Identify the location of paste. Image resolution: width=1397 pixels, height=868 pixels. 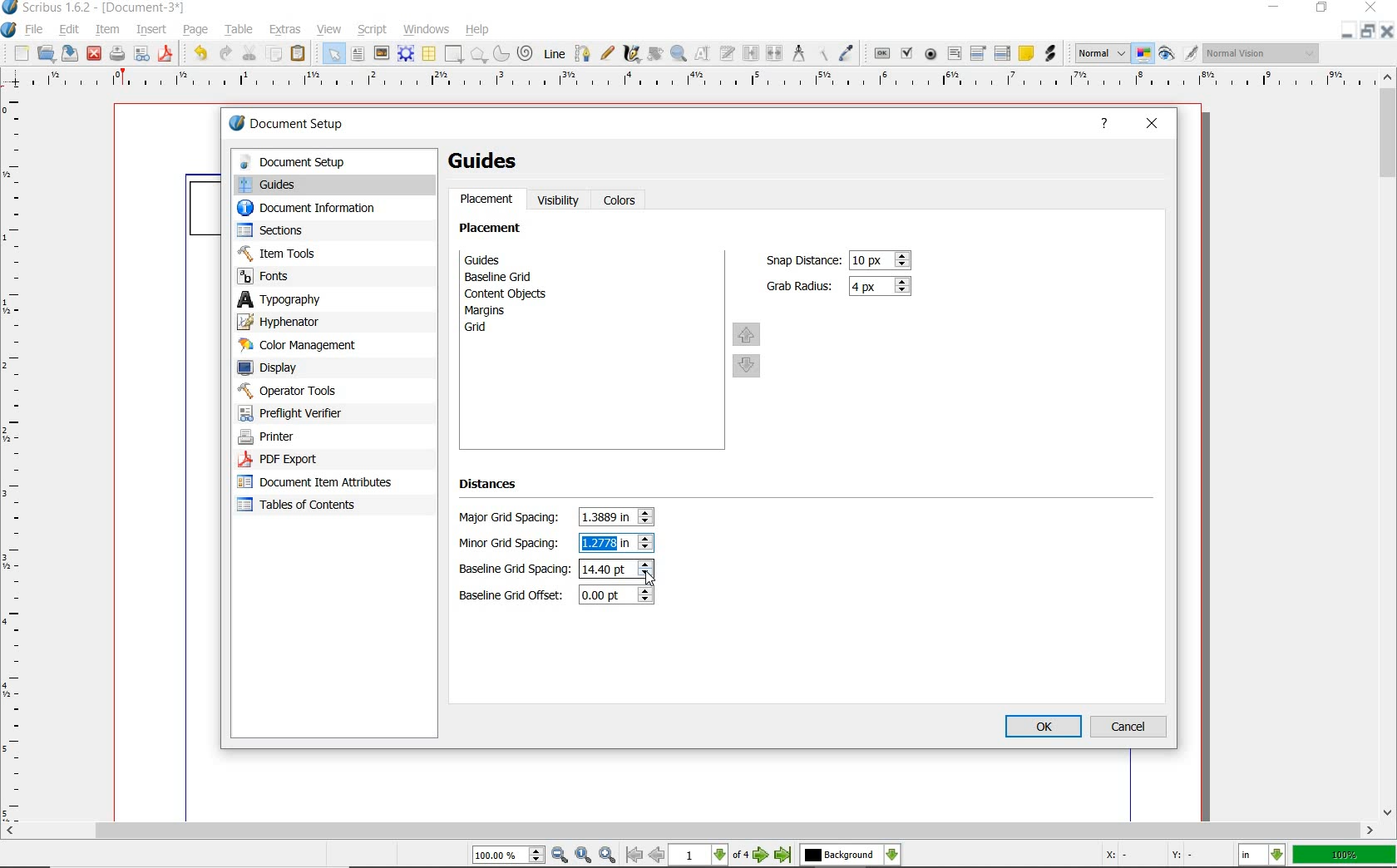
(301, 55).